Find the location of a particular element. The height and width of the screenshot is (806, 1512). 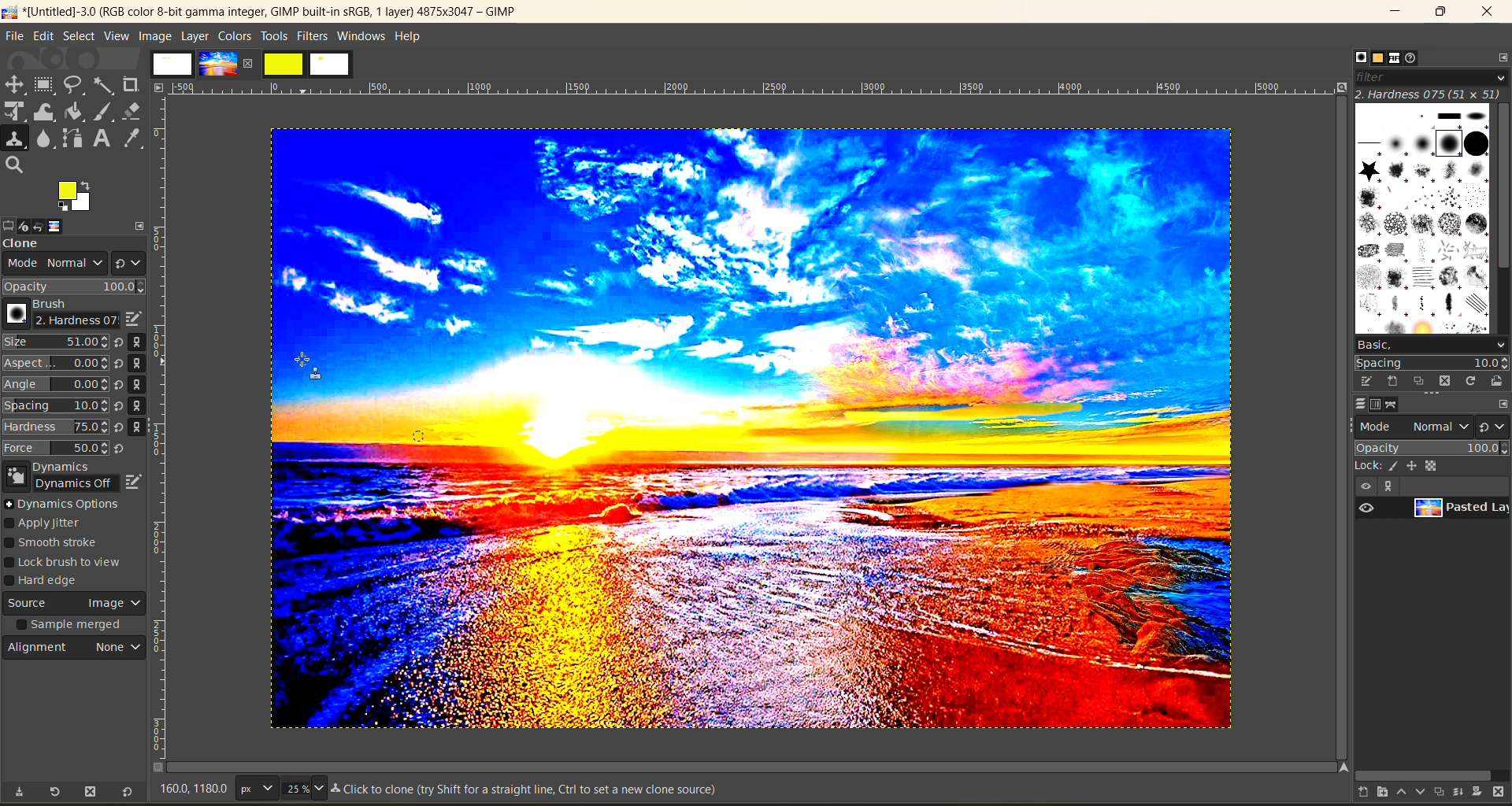

switch to another group is located at coordinates (1495, 426).